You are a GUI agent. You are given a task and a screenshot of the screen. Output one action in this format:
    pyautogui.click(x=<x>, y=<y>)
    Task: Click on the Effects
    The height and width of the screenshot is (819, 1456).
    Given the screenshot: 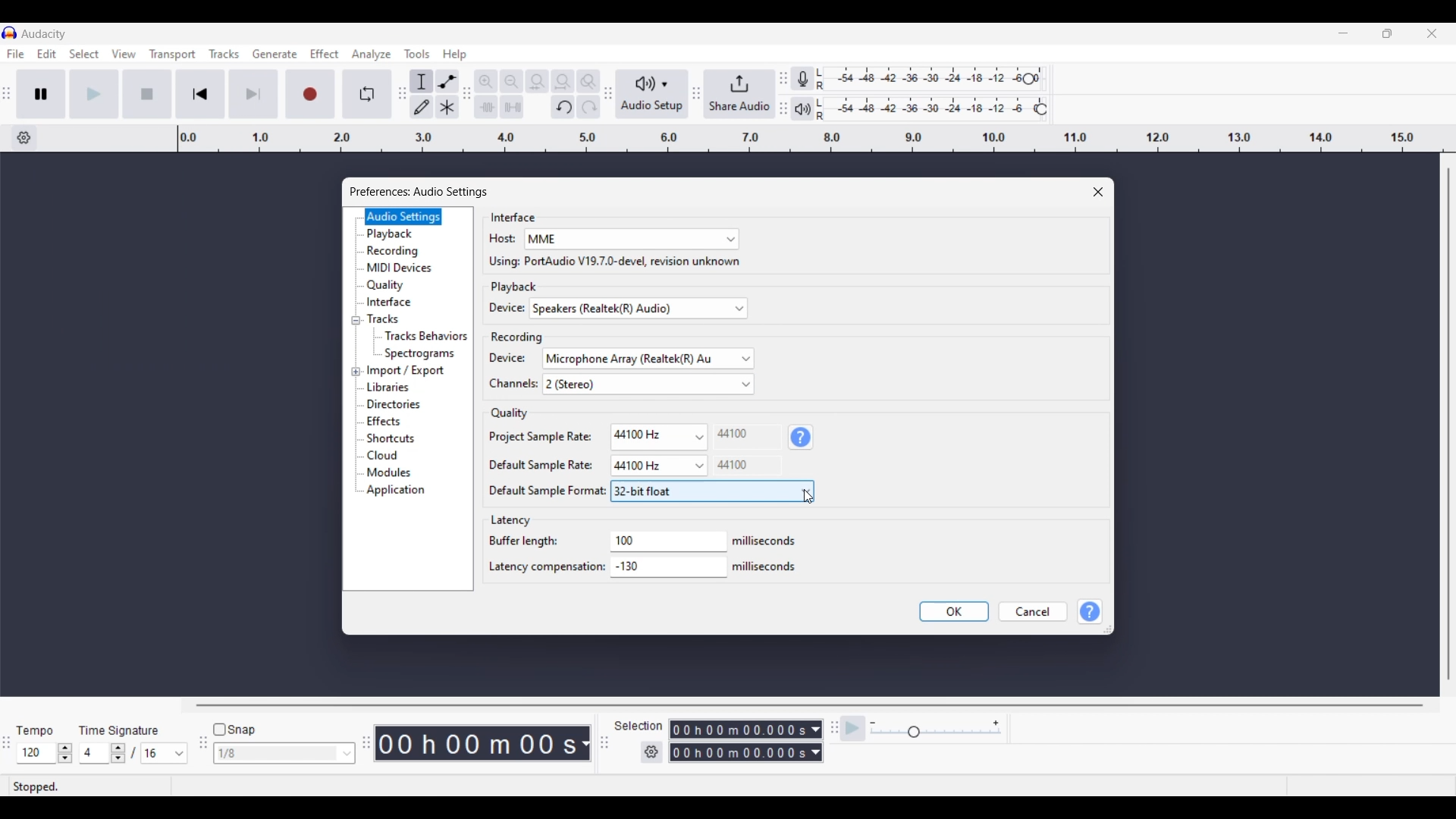 What is the action you would take?
    pyautogui.click(x=403, y=422)
    